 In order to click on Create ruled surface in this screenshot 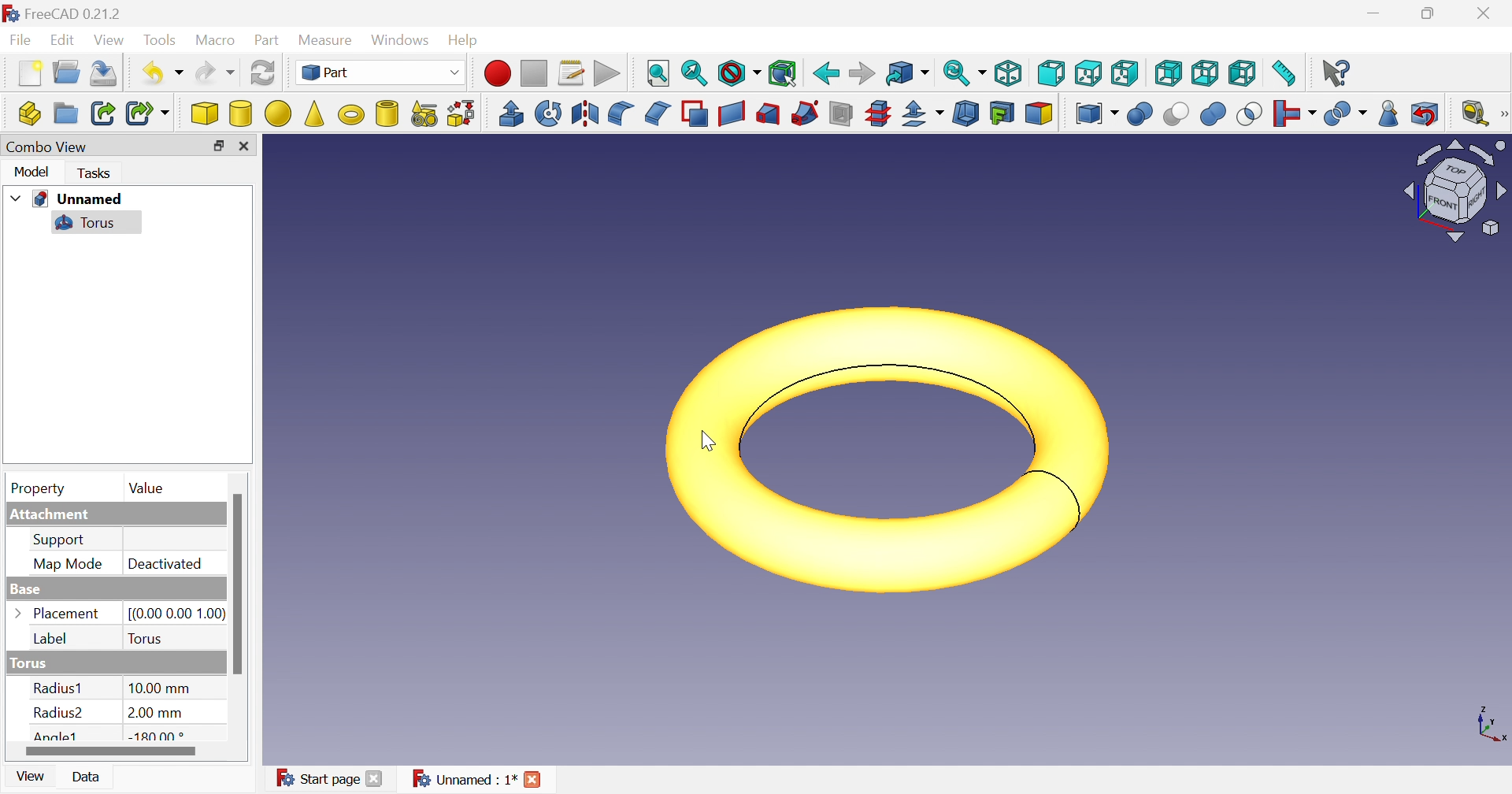, I will do `click(732, 113)`.